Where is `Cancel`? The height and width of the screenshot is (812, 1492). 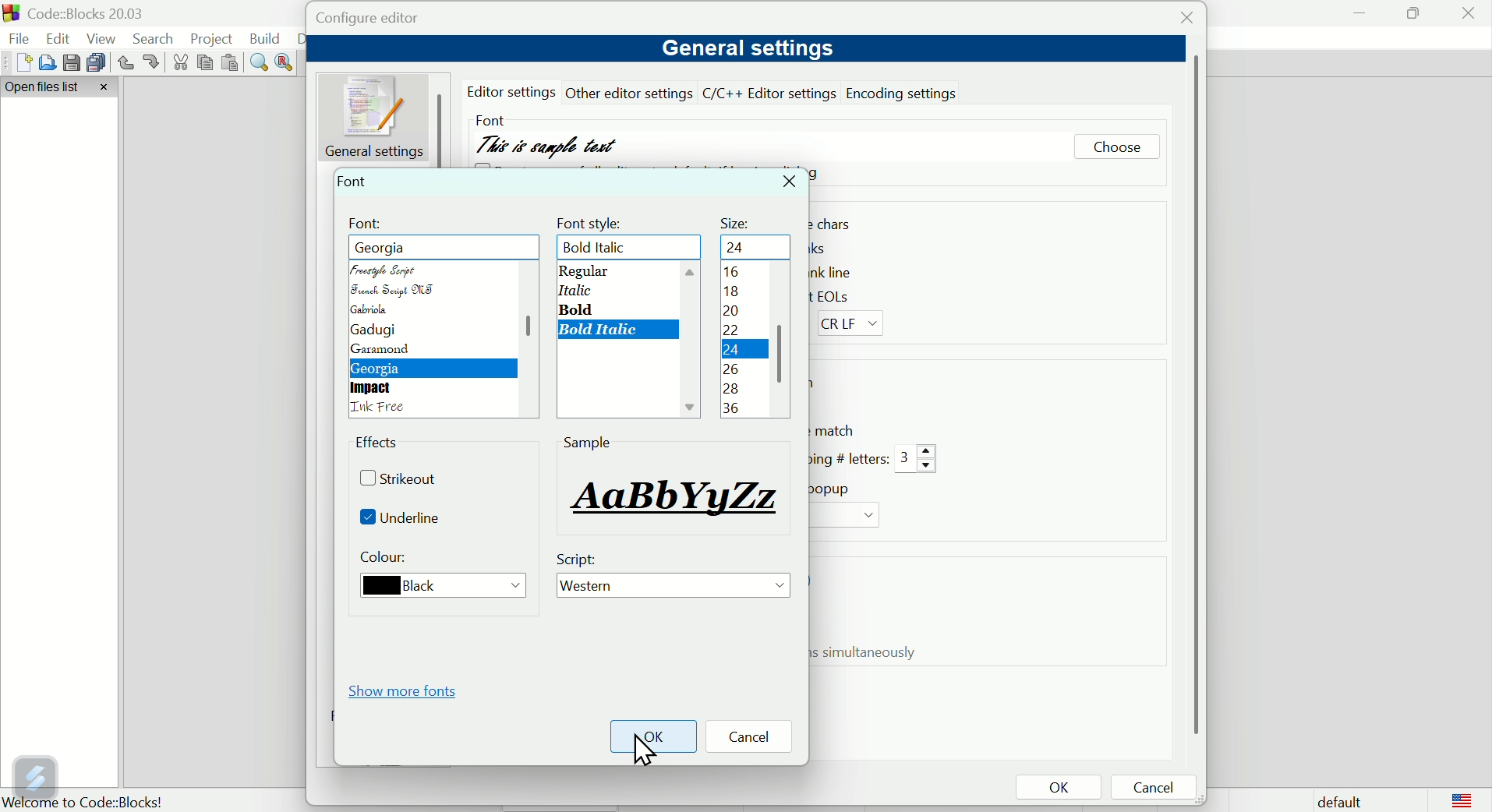
Cancel is located at coordinates (1158, 789).